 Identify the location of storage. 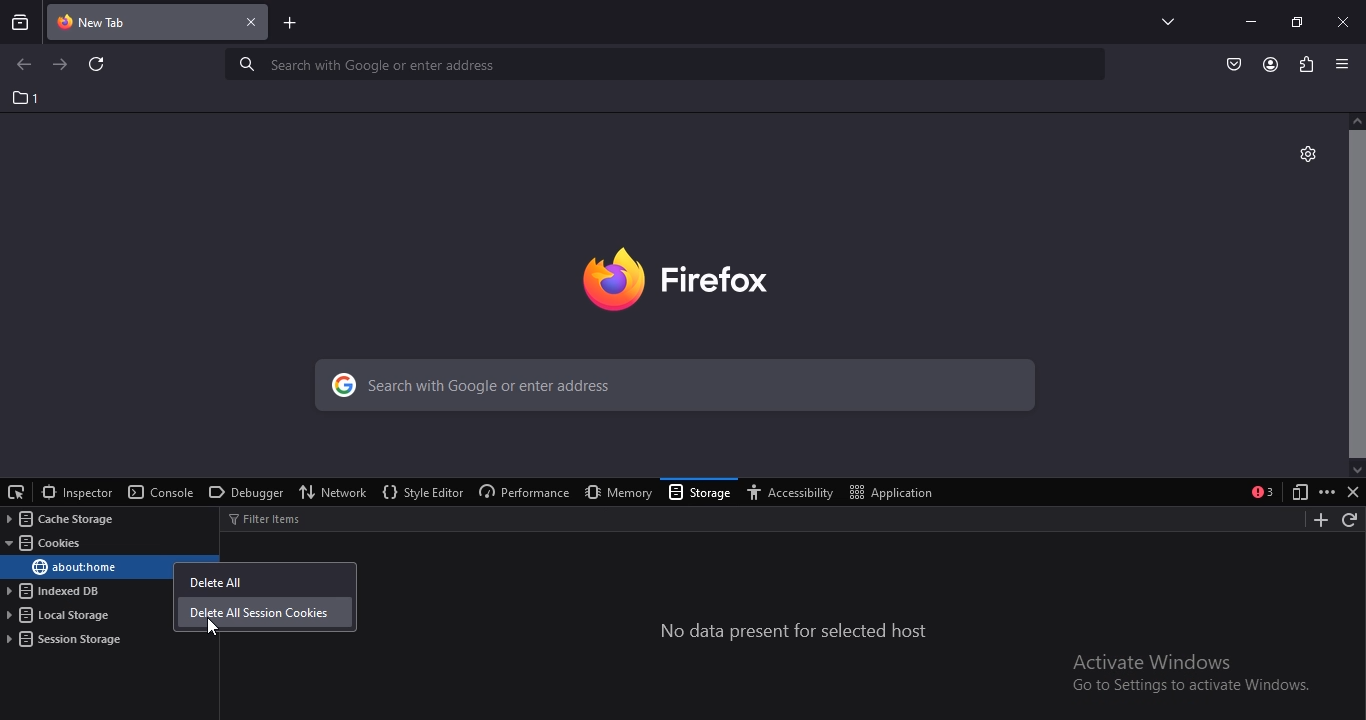
(701, 494).